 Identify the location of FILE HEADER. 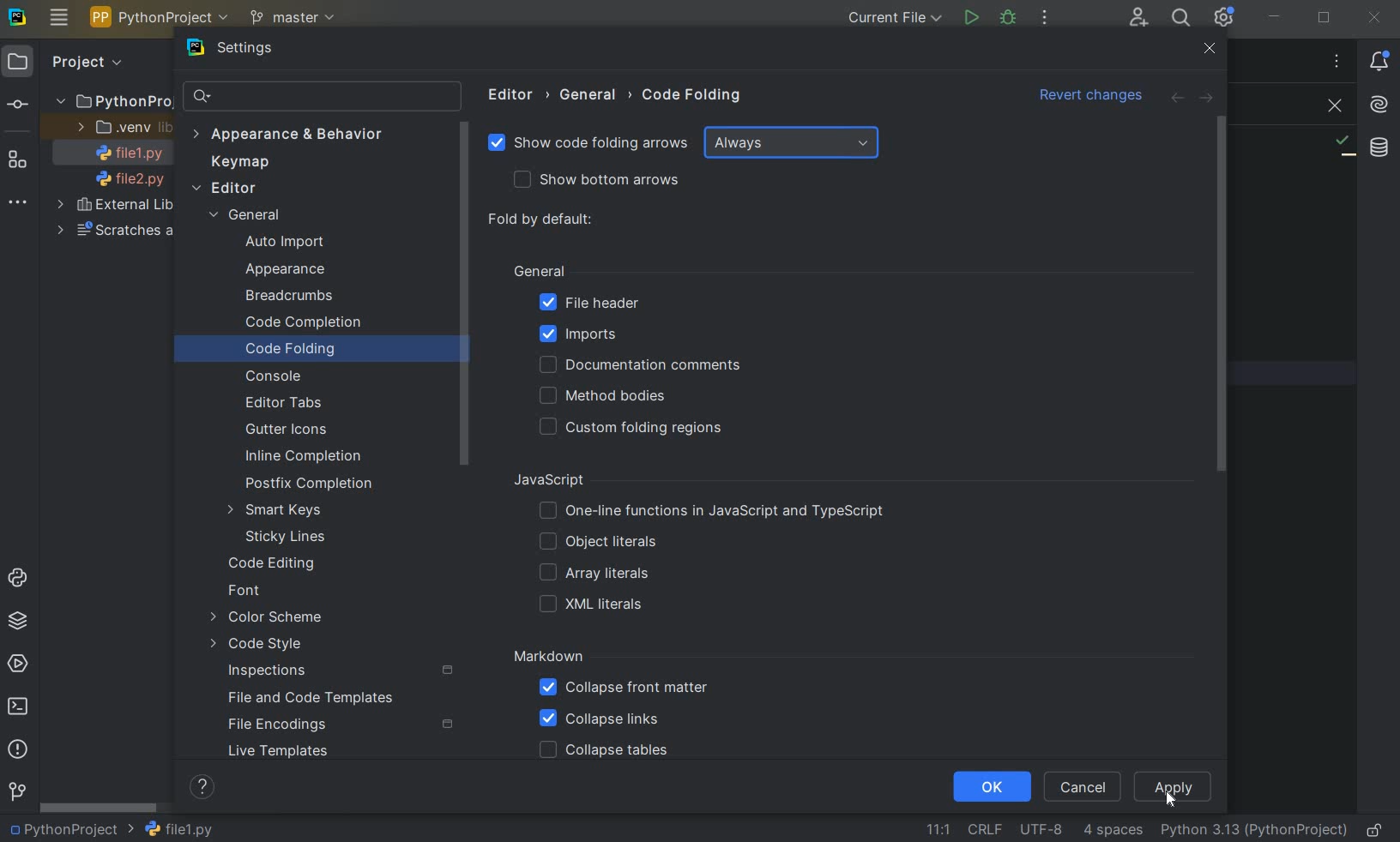
(588, 304).